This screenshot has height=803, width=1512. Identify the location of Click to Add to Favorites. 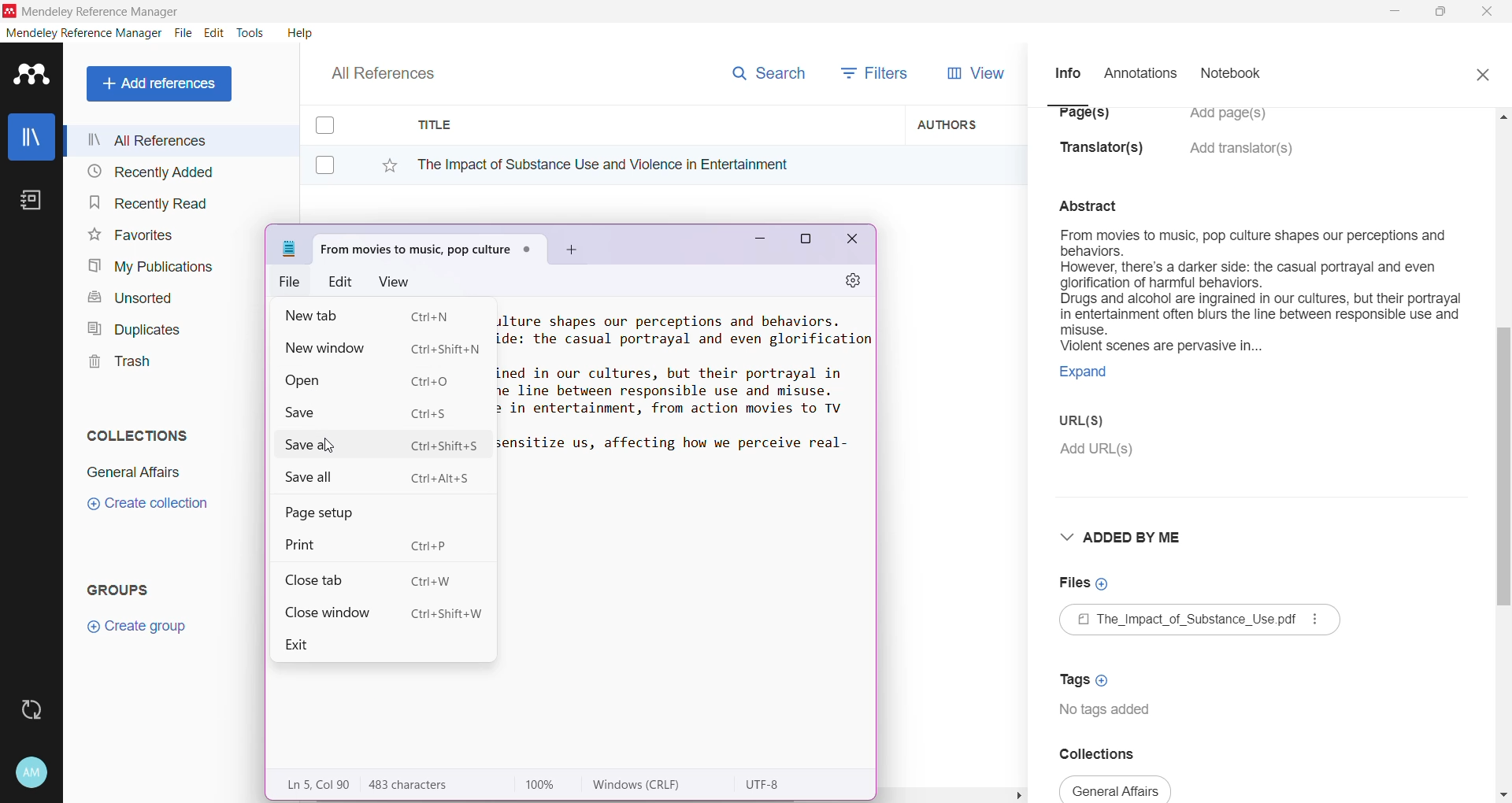
(381, 162).